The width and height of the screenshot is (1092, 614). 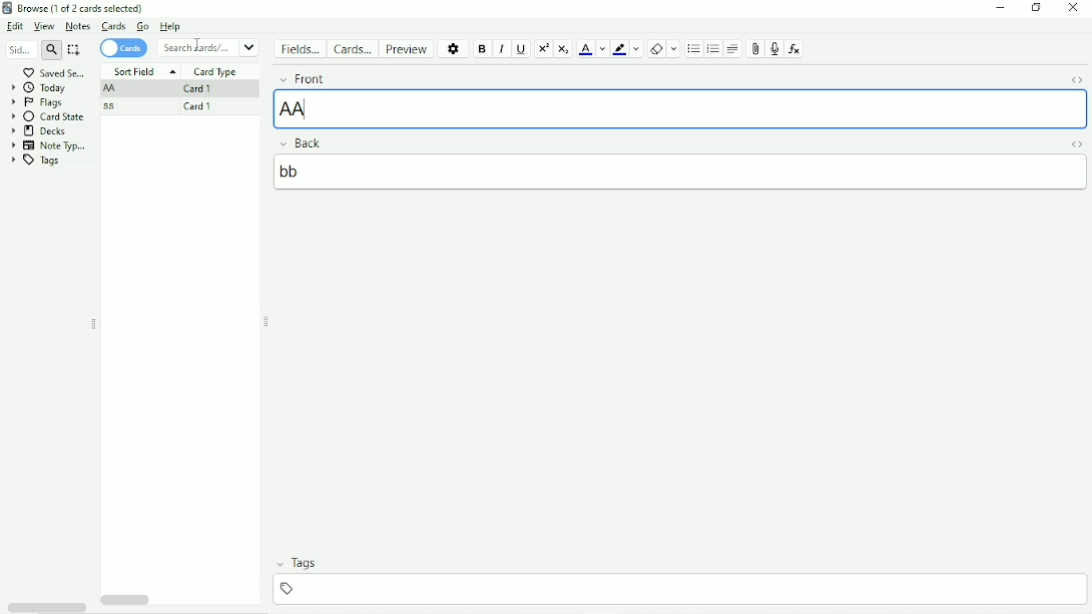 What do you see at coordinates (999, 8) in the screenshot?
I see `Minimize` at bounding box center [999, 8].